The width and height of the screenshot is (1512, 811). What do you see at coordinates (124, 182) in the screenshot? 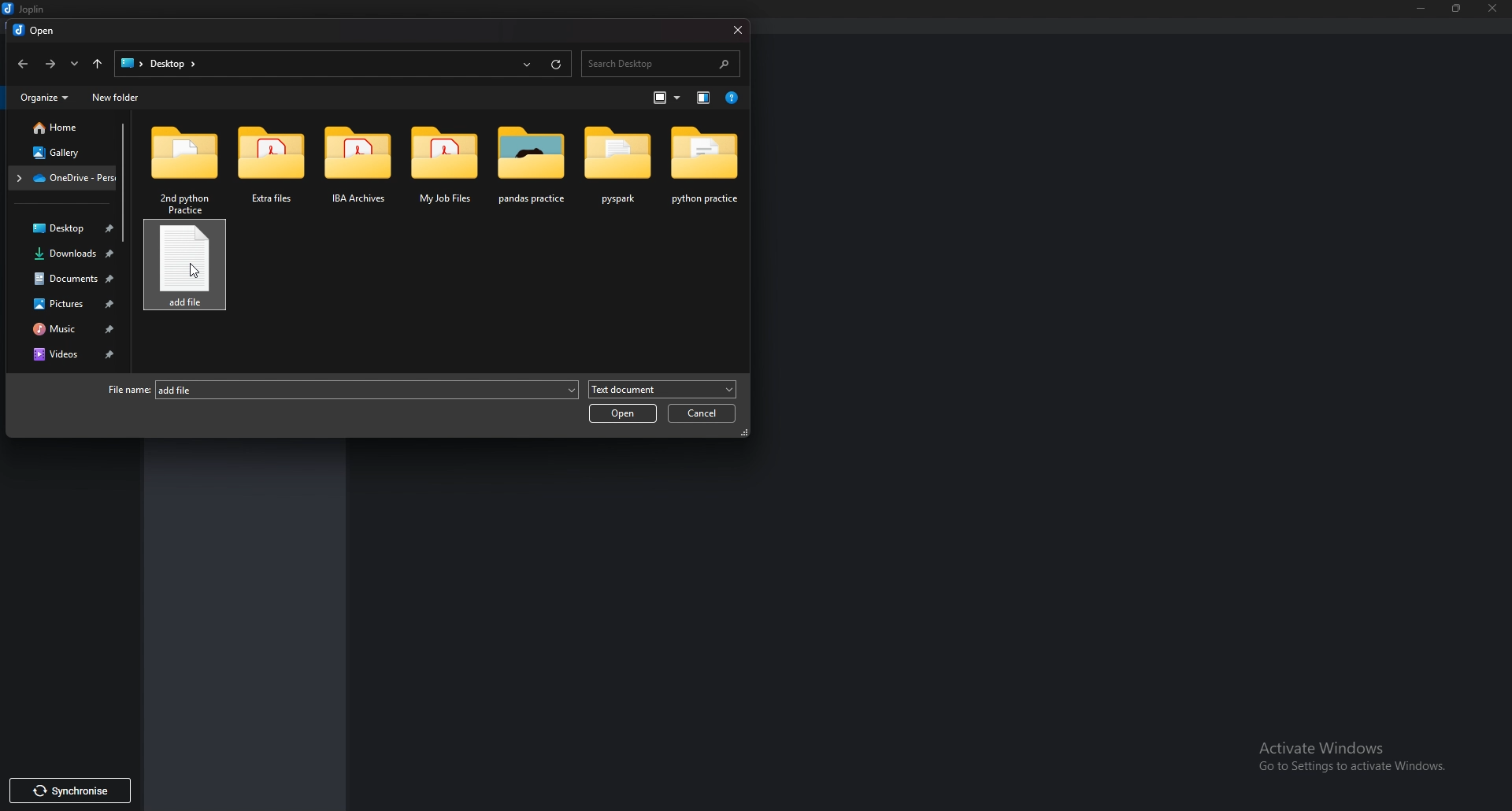
I see `Scroll bar` at bounding box center [124, 182].